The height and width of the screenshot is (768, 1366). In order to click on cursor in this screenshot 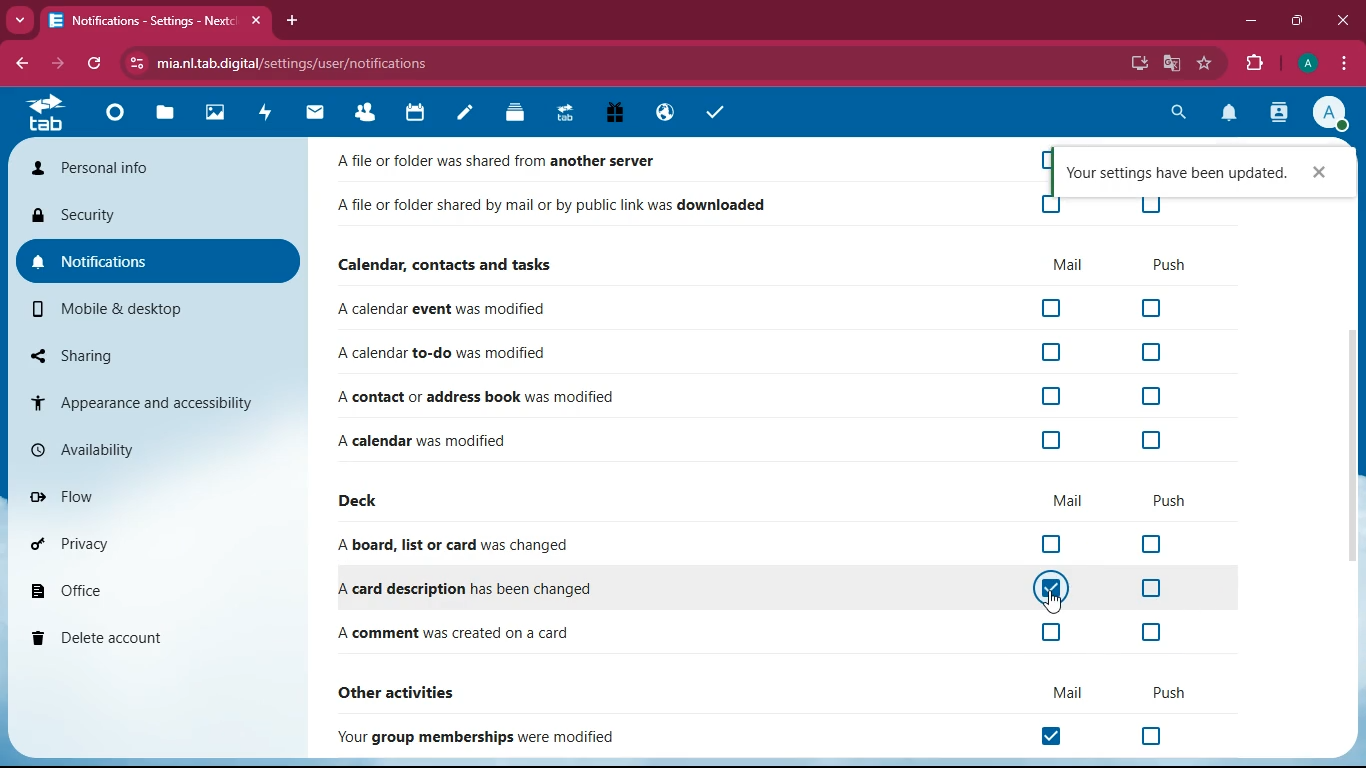, I will do `click(1055, 605)`.